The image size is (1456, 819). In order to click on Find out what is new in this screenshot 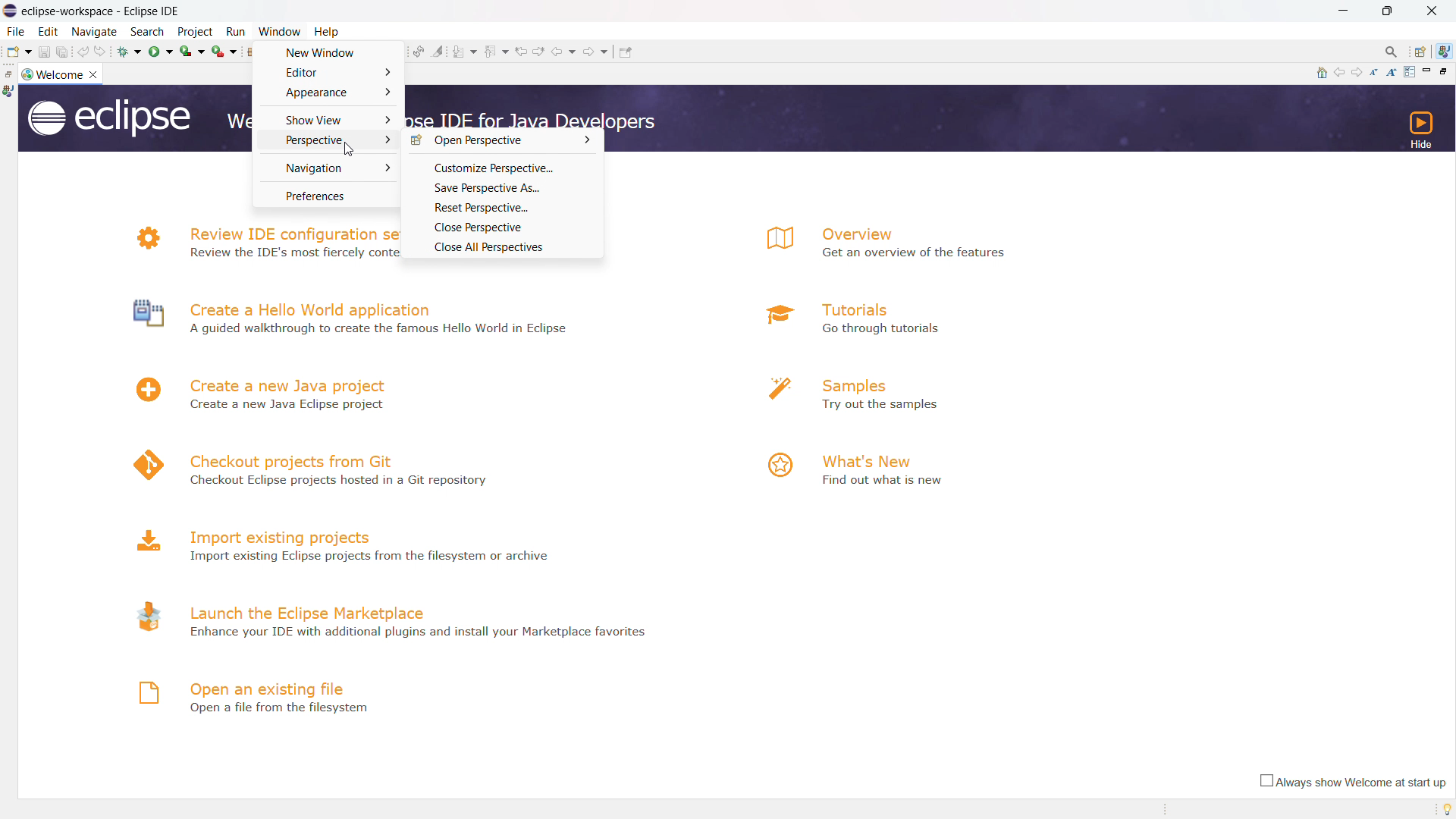, I will do `click(884, 480)`.